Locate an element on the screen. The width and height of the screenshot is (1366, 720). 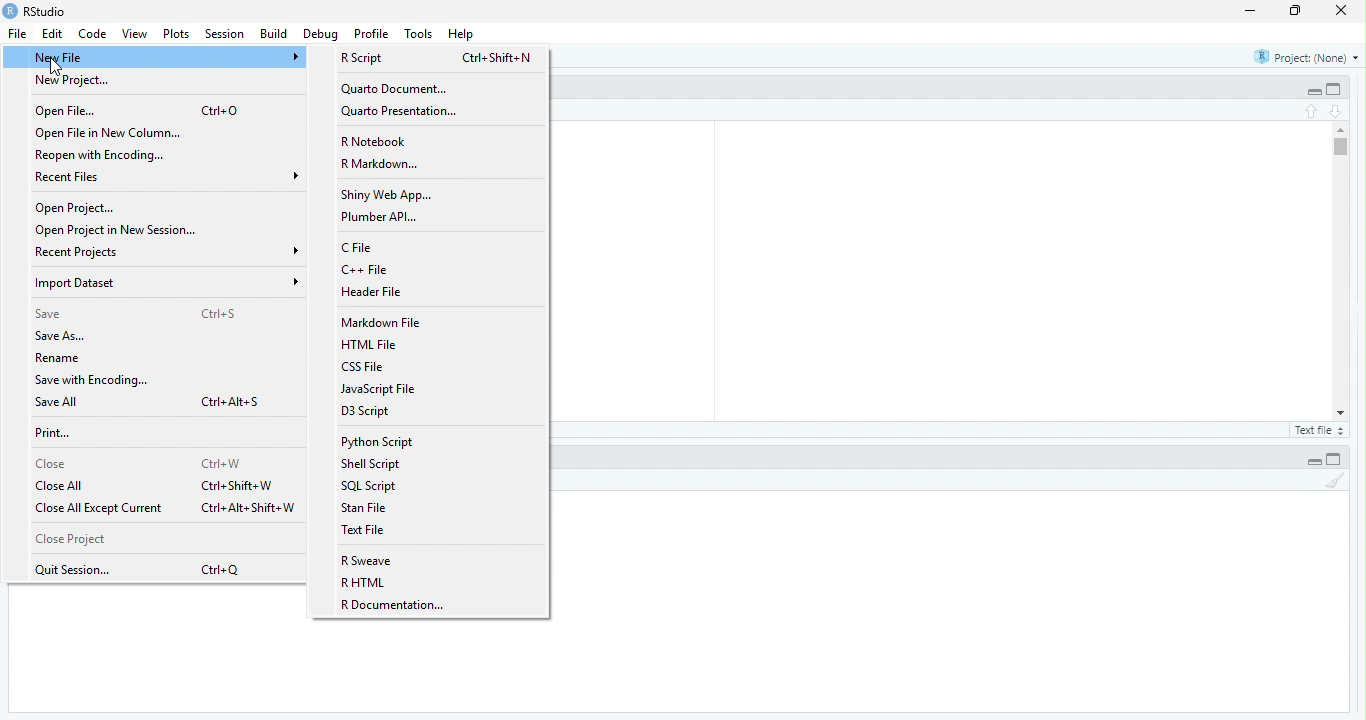
R HTML is located at coordinates (365, 582).